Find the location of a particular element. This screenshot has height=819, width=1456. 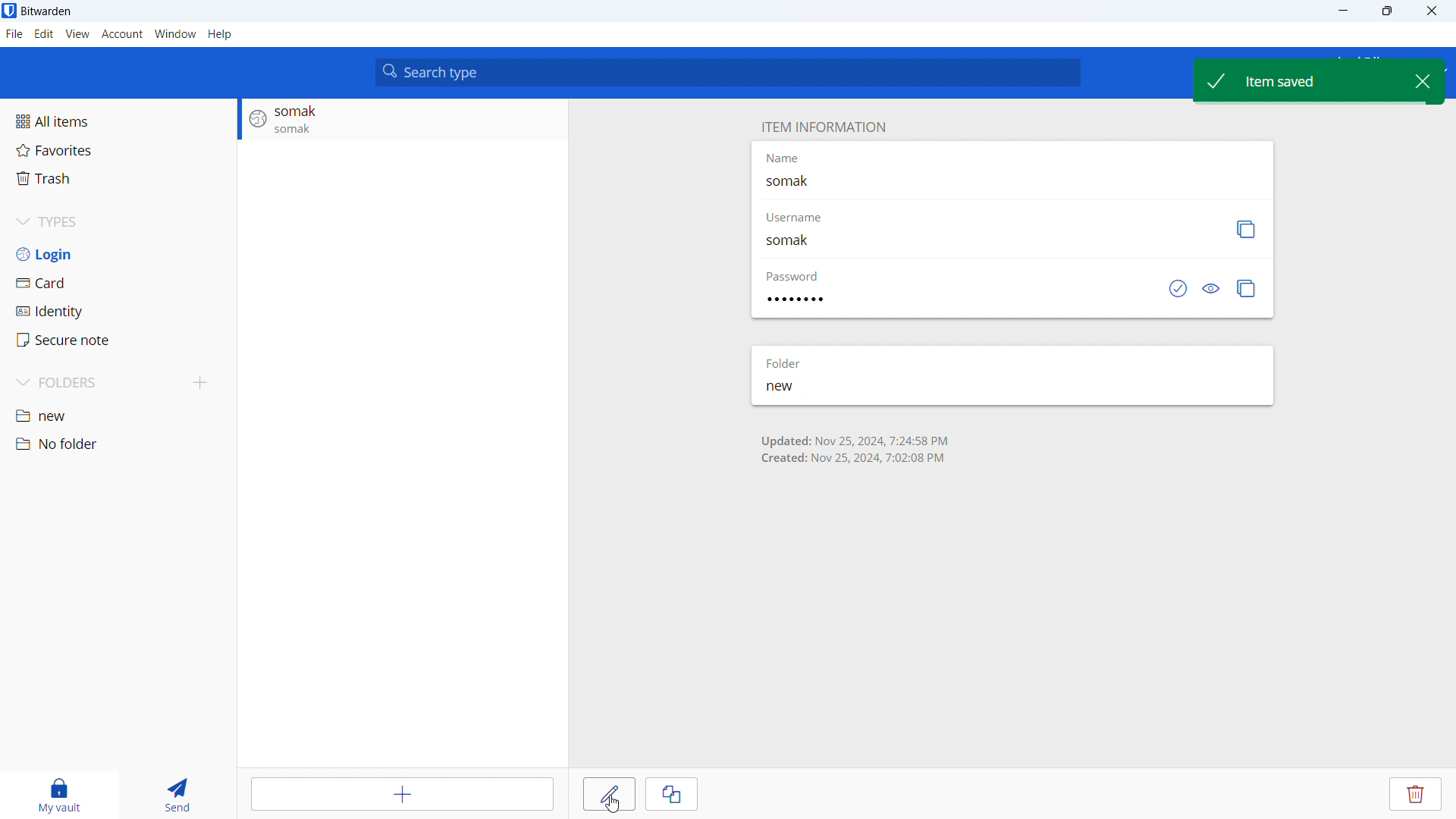

new is located at coordinates (118, 415).